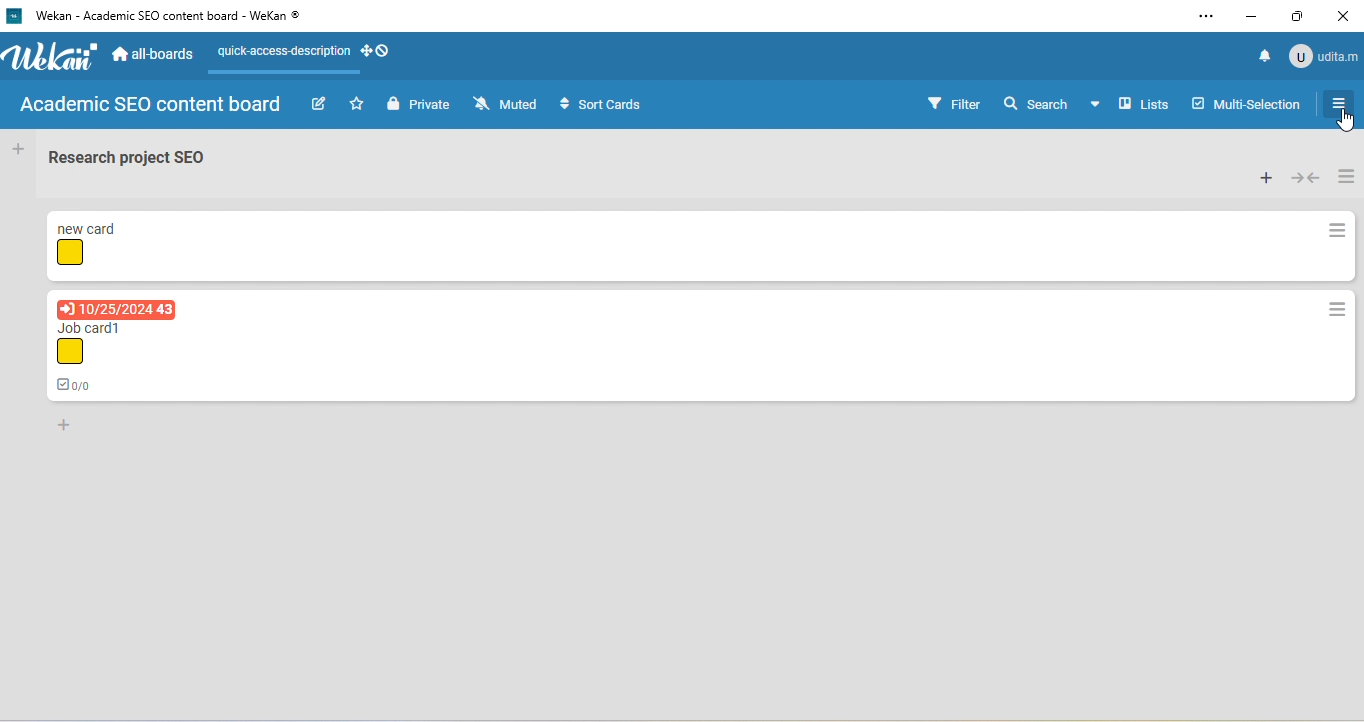  What do you see at coordinates (1348, 175) in the screenshot?
I see `list actions` at bounding box center [1348, 175].